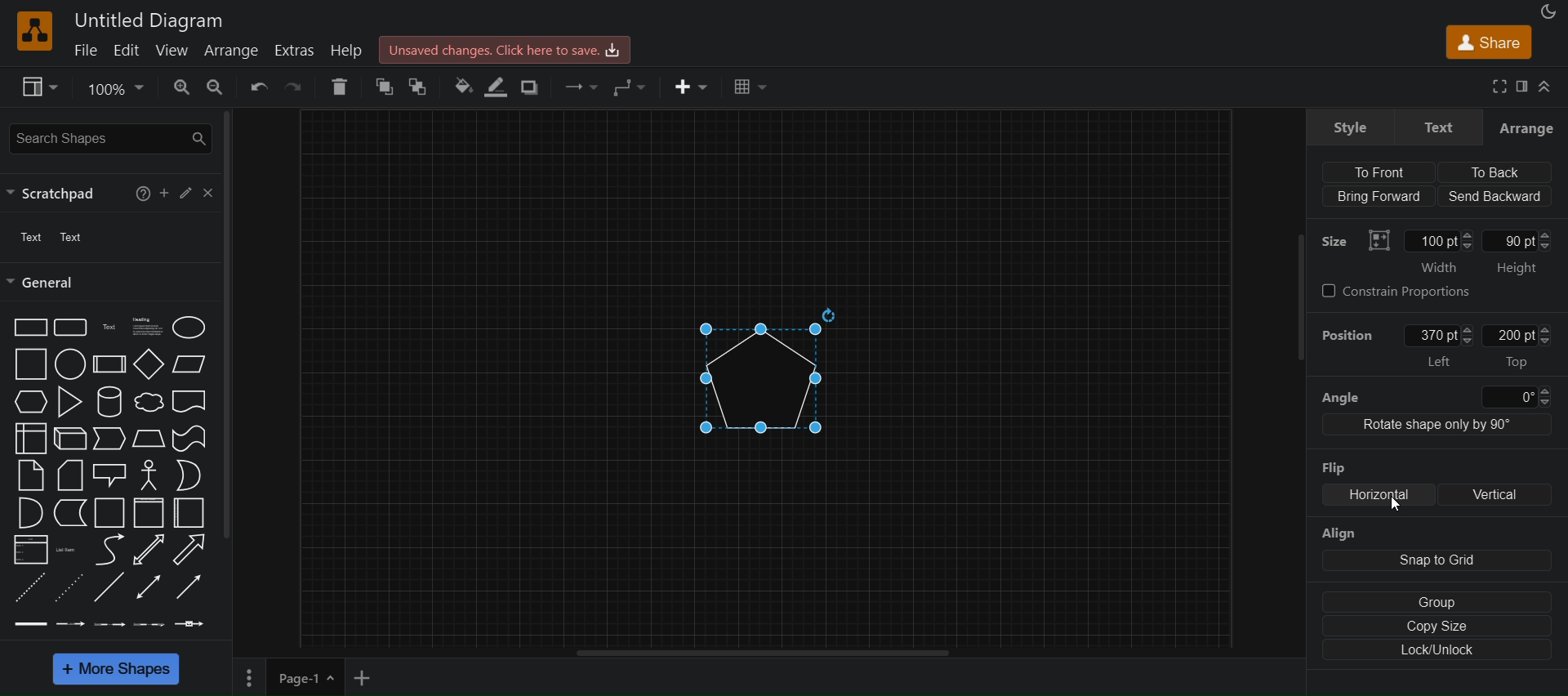 Image resolution: width=1568 pixels, height=696 pixels. What do you see at coordinates (1379, 495) in the screenshot?
I see `Horizontal` at bounding box center [1379, 495].